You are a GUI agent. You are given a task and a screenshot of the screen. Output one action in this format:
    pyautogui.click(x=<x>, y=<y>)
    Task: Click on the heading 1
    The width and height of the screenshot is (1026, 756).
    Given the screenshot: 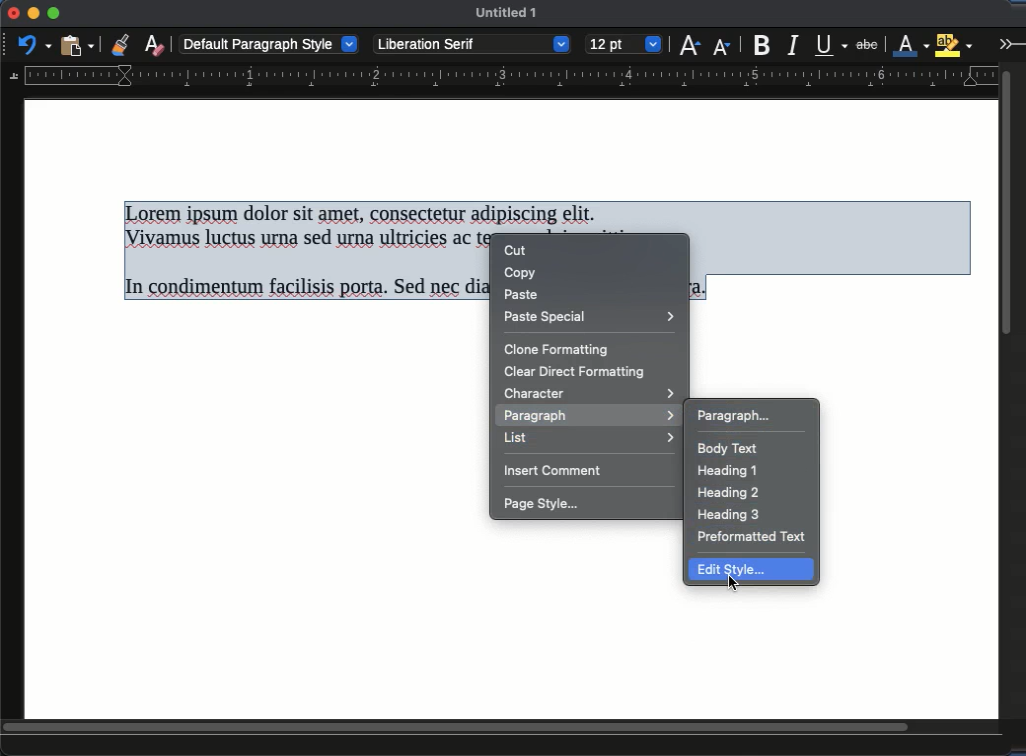 What is the action you would take?
    pyautogui.click(x=728, y=473)
    